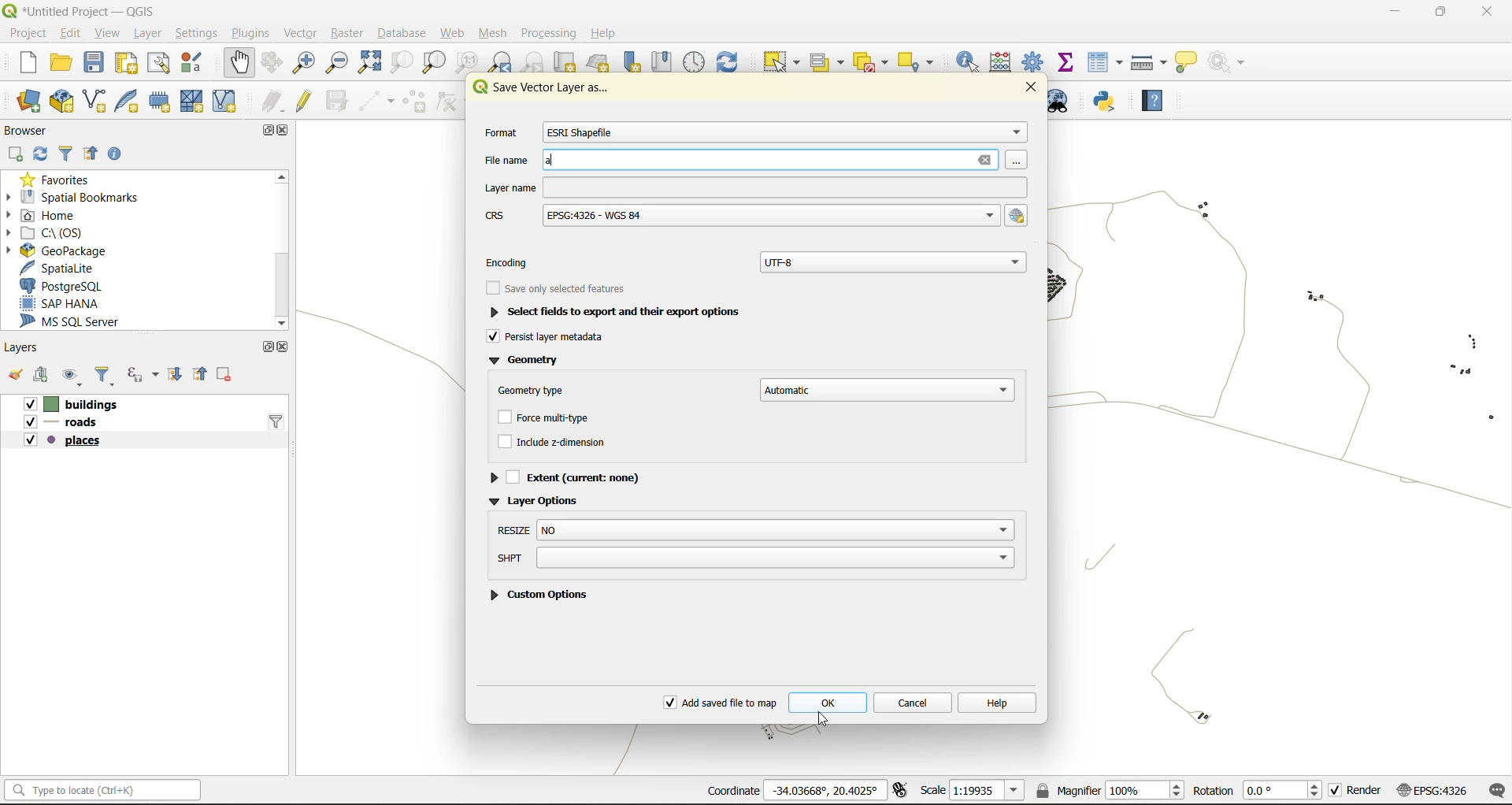 The width and height of the screenshot is (1512, 805). Describe the element at coordinates (159, 101) in the screenshot. I see `new temporary scratch file layer` at that location.